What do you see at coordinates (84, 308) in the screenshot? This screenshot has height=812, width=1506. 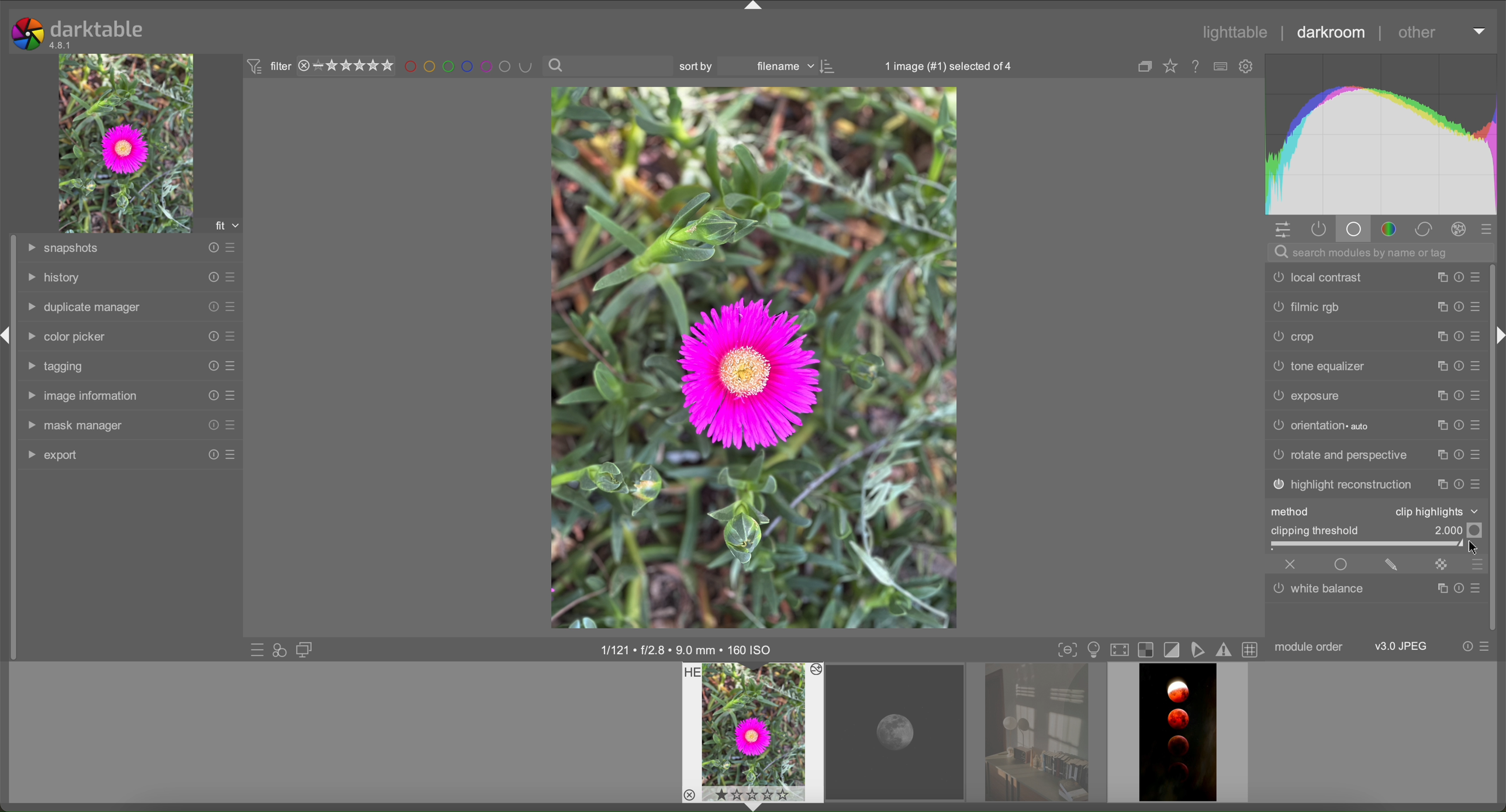 I see `duplicate manager tab` at bounding box center [84, 308].